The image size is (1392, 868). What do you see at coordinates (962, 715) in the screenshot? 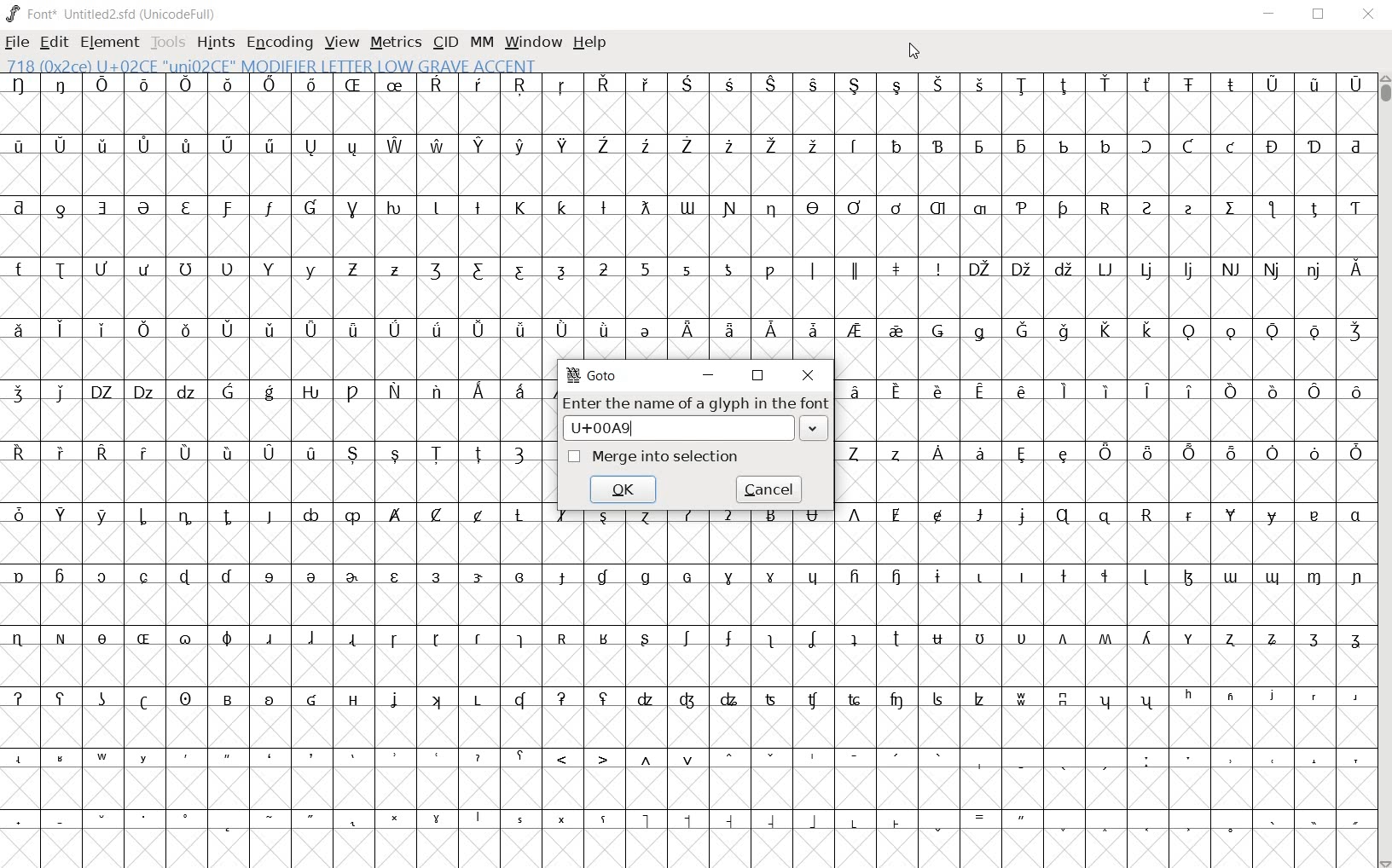
I see `glyph characters` at bounding box center [962, 715].